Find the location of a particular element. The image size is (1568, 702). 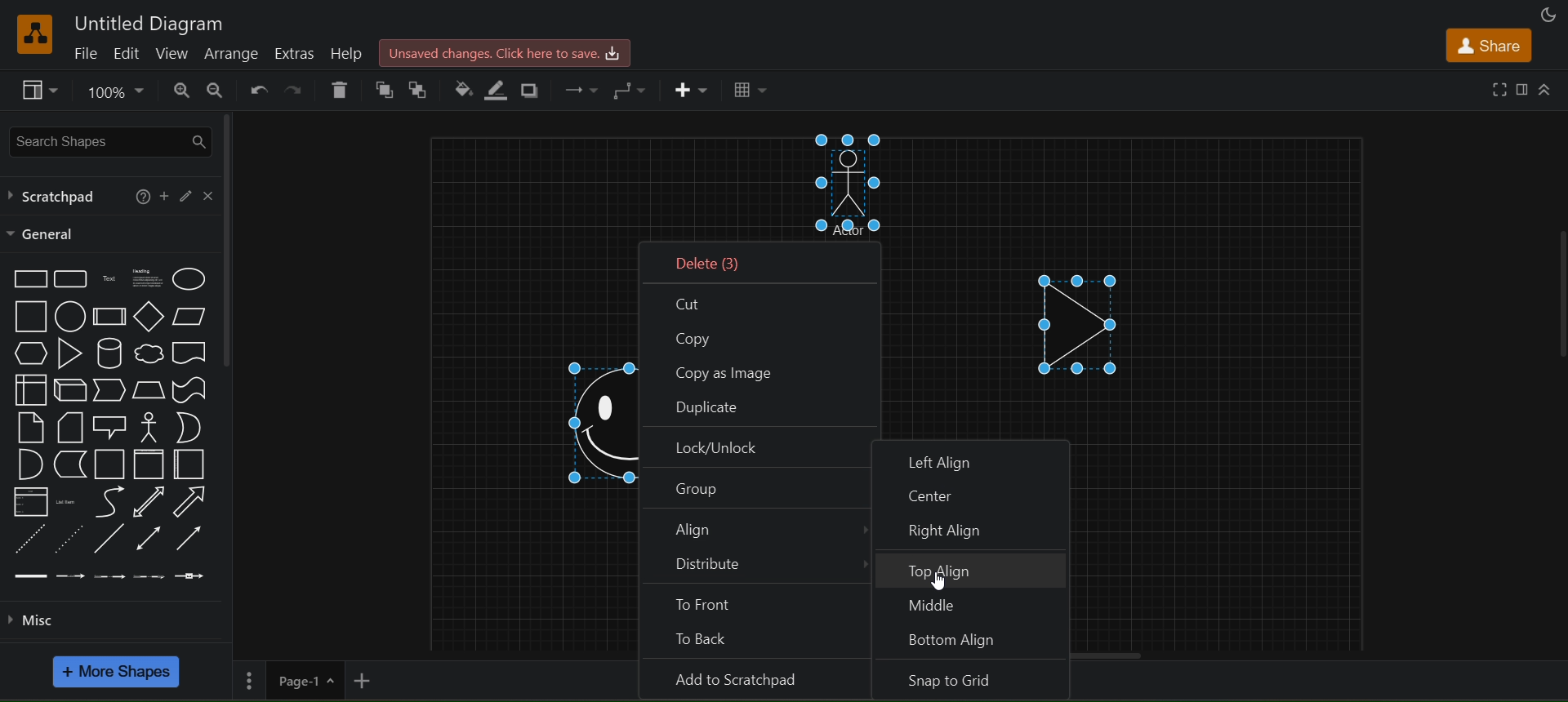

arrow is located at coordinates (192, 503).